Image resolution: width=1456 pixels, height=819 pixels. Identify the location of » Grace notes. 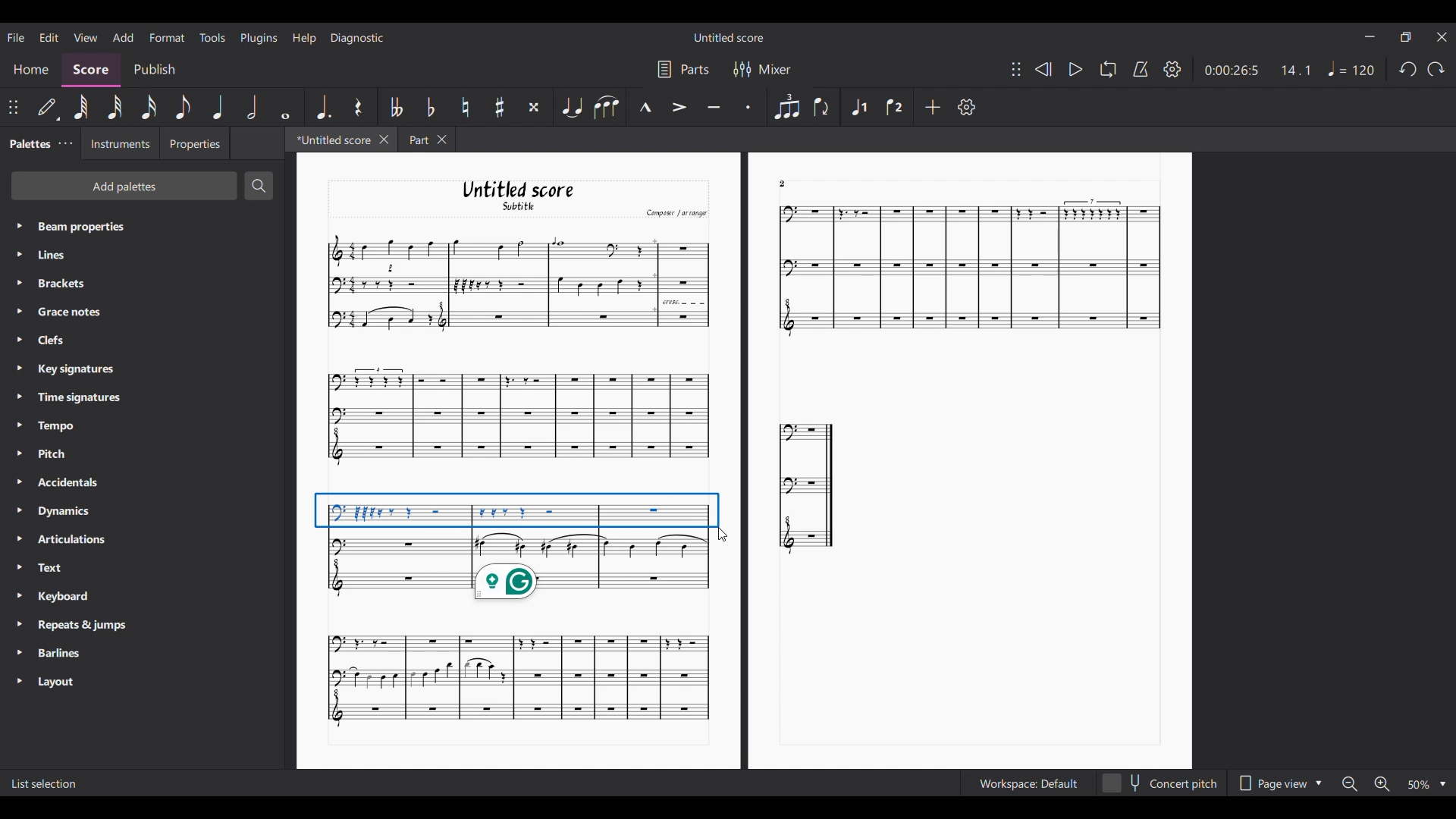
(65, 312).